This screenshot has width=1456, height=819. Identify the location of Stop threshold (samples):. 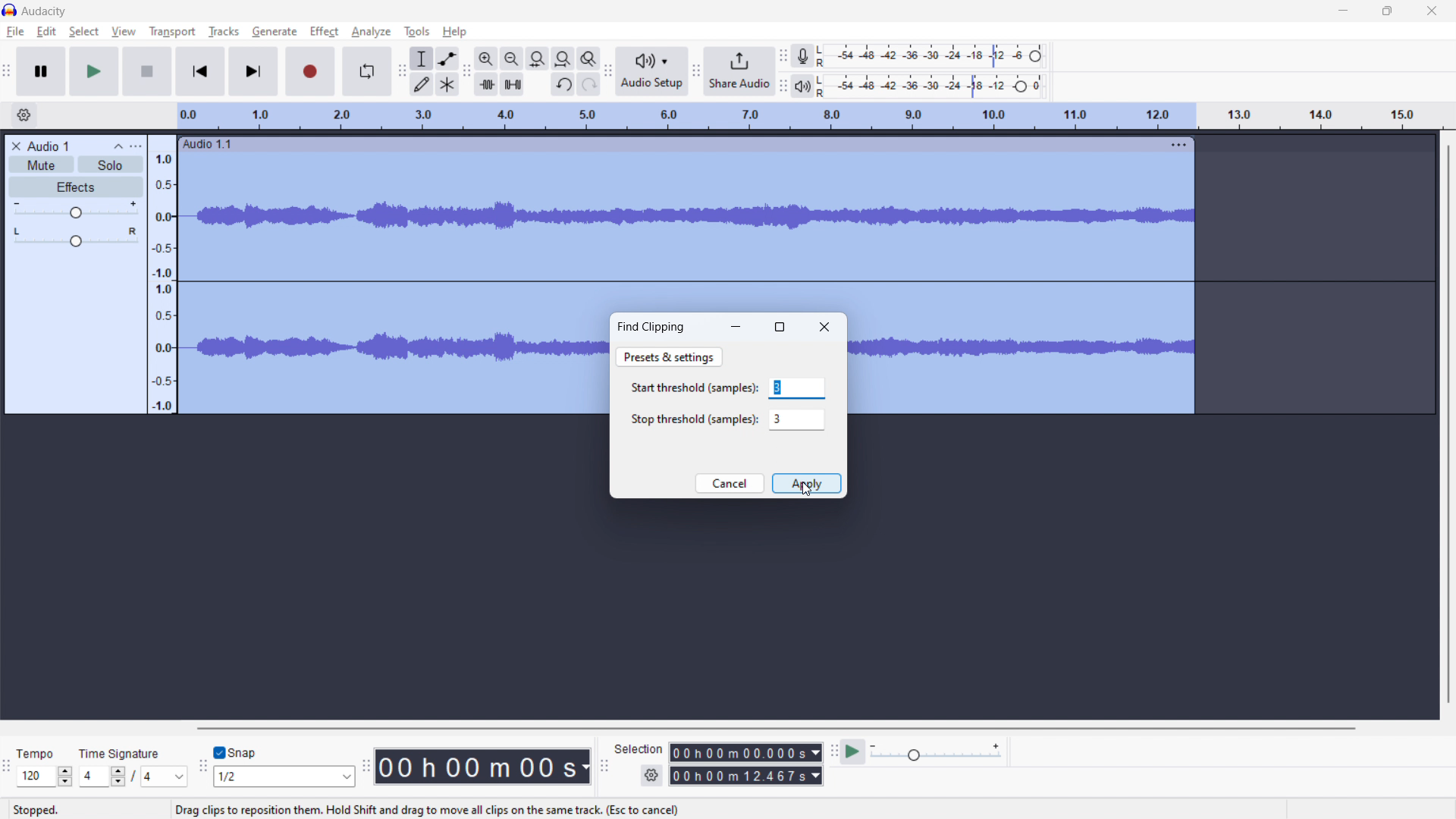
(691, 421).